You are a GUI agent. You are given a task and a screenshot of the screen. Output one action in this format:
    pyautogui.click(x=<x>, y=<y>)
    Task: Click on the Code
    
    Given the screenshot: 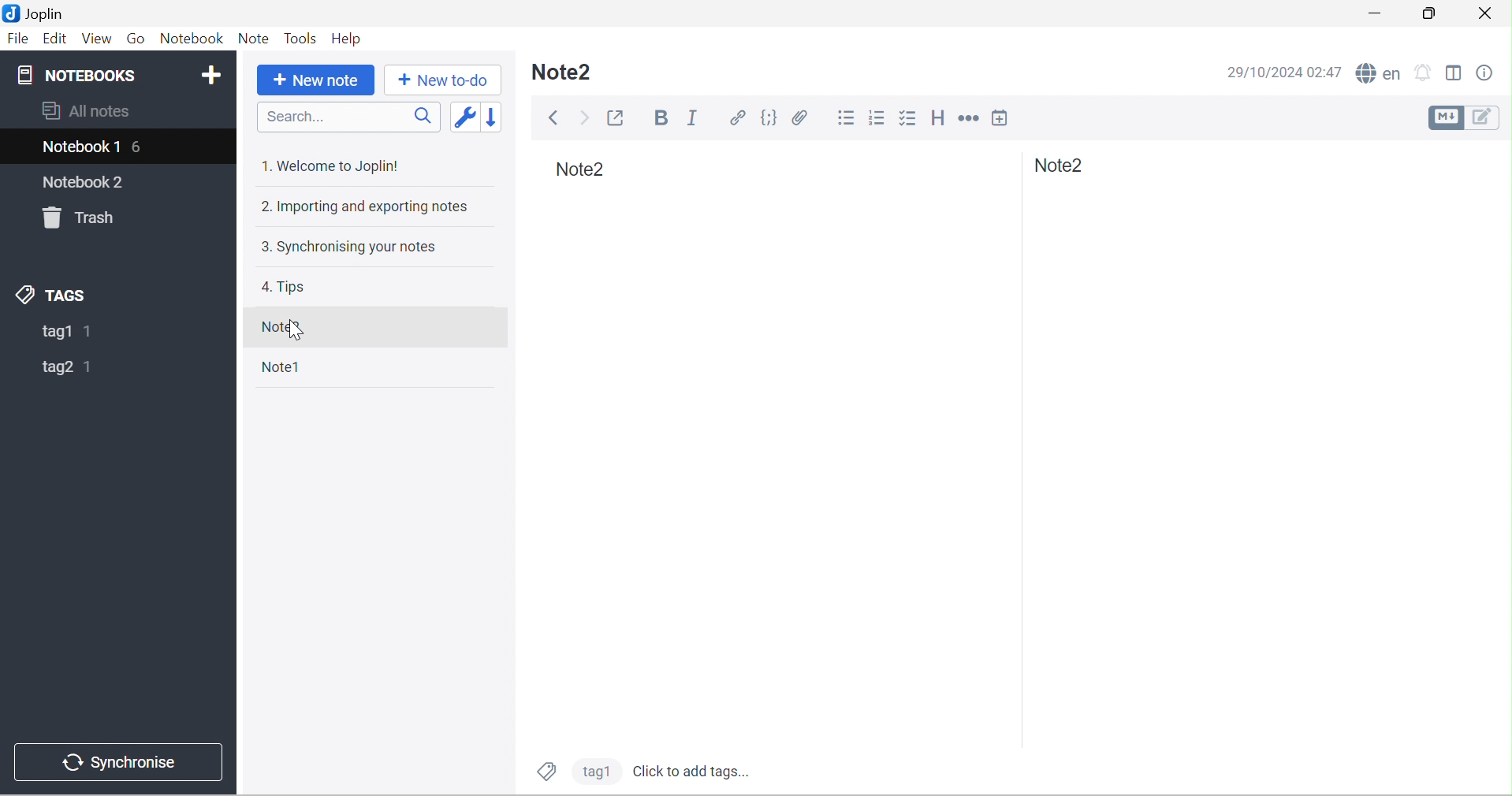 What is the action you would take?
    pyautogui.click(x=769, y=117)
    